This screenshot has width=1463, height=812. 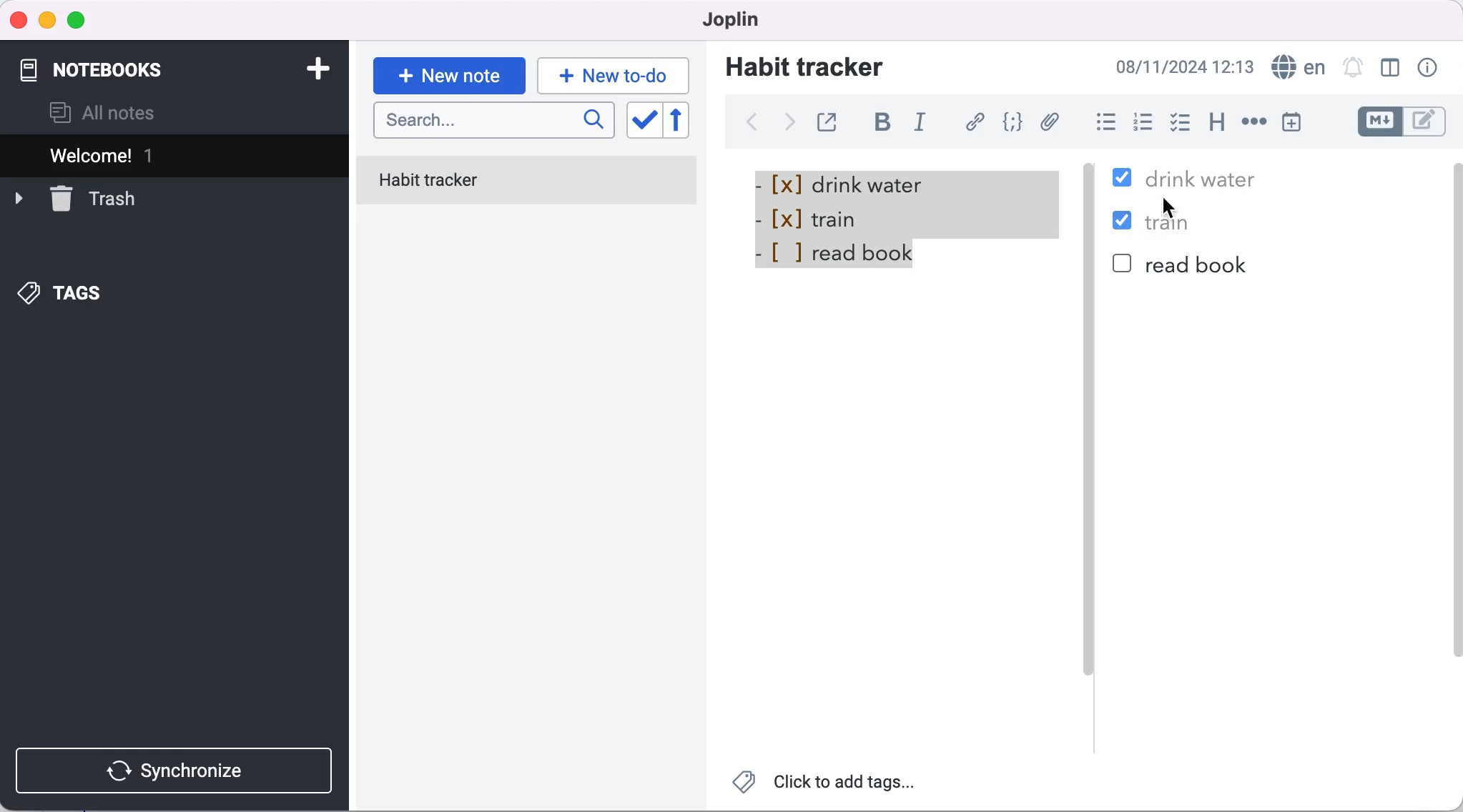 What do you see at coordinates (46, 21) in the screenshot?
I see `minimize` at bounding box center [46, 21].